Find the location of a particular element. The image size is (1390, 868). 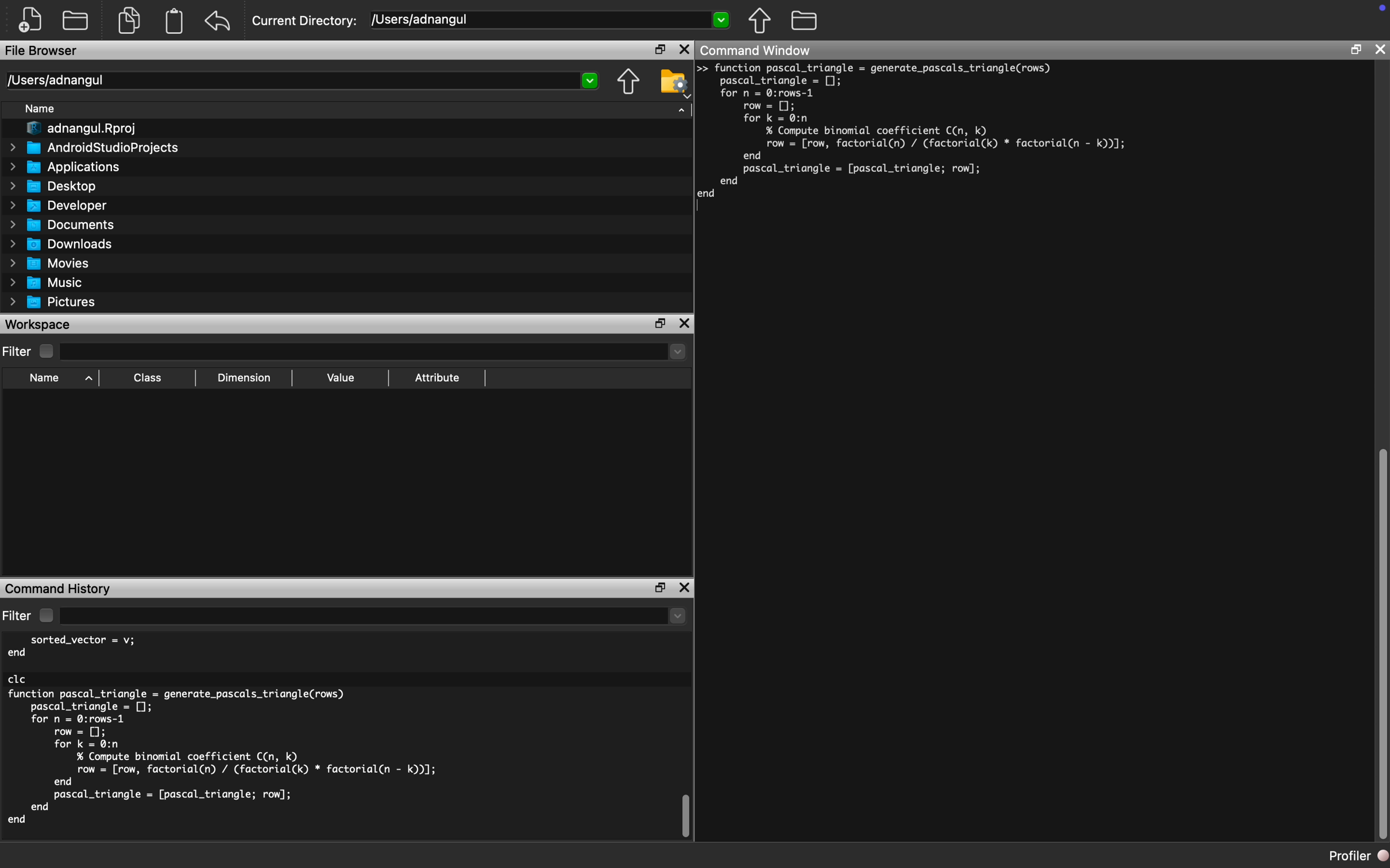

Scroll is located at coordinates (686, 744).